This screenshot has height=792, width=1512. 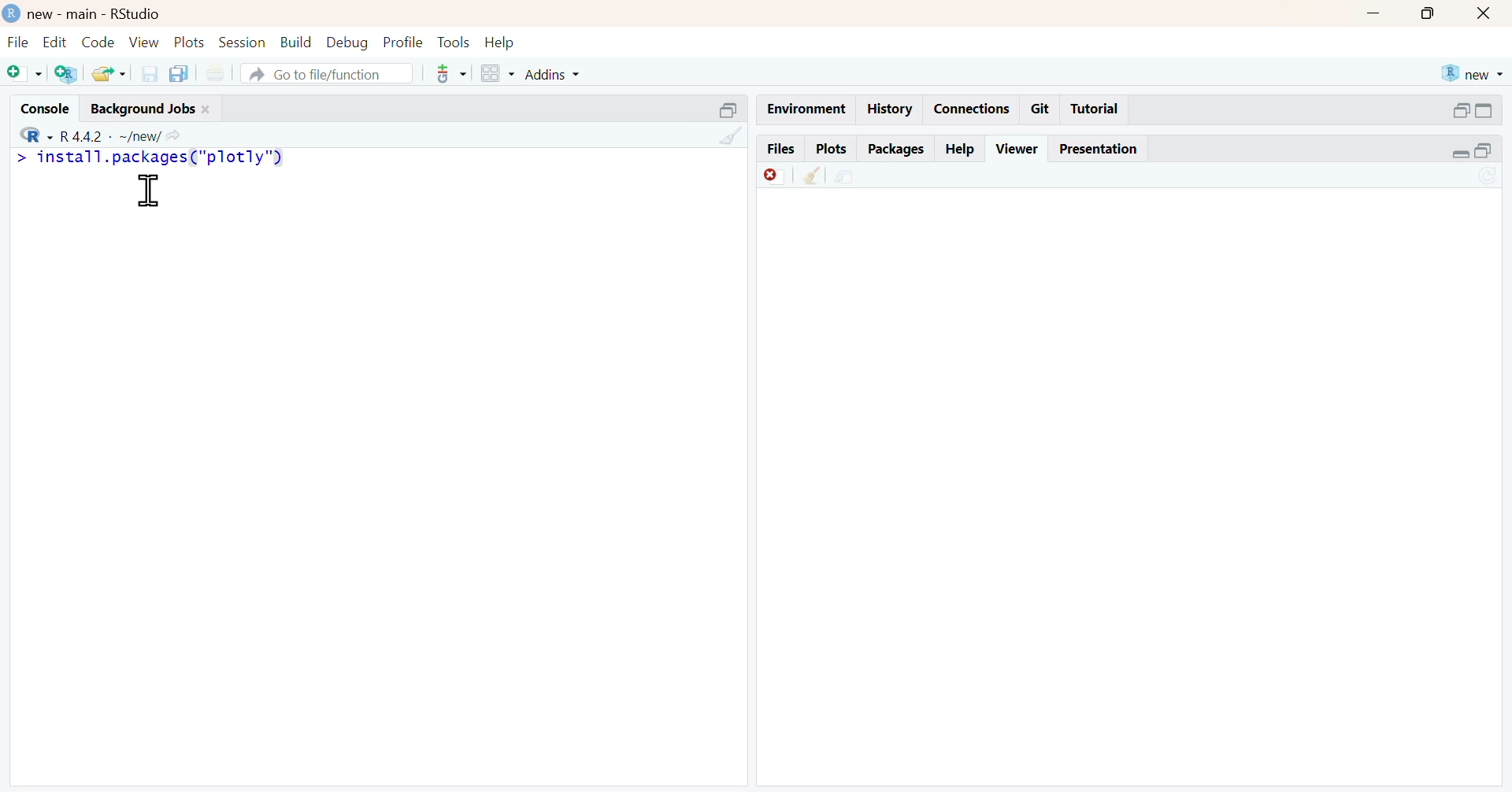 I want to click on print the current file, so click(x=222, y=73).